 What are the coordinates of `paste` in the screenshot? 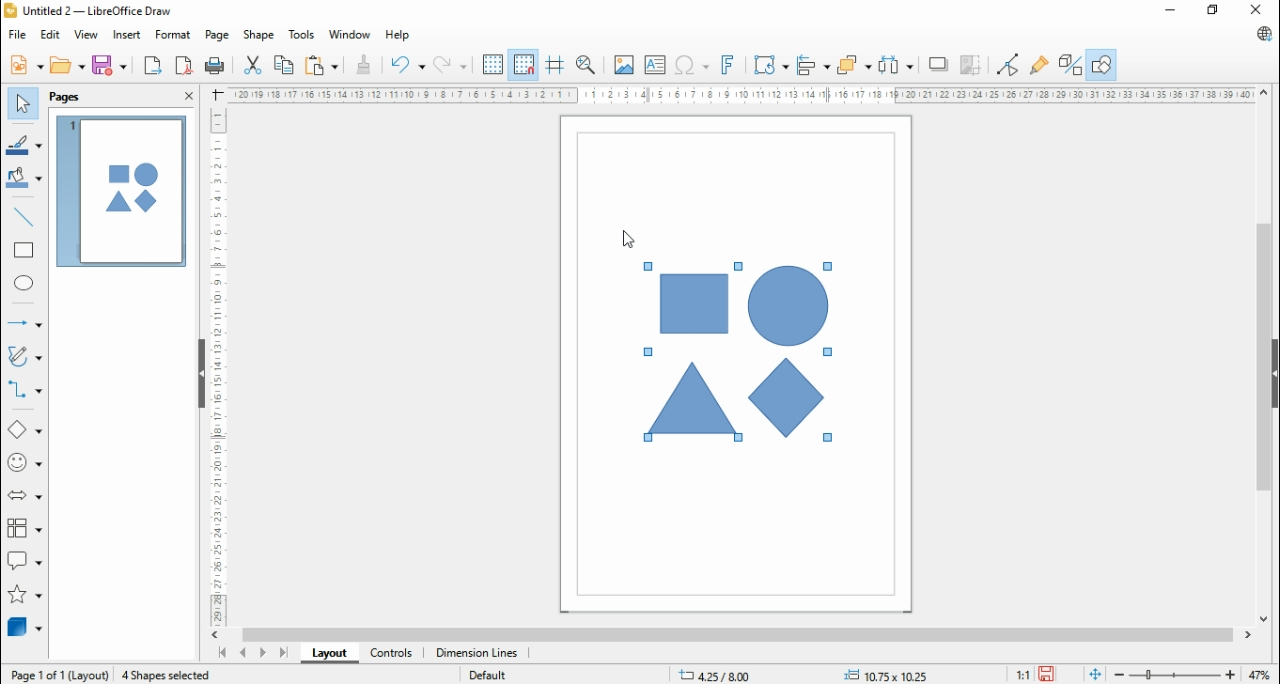 It's located at (320, 64).